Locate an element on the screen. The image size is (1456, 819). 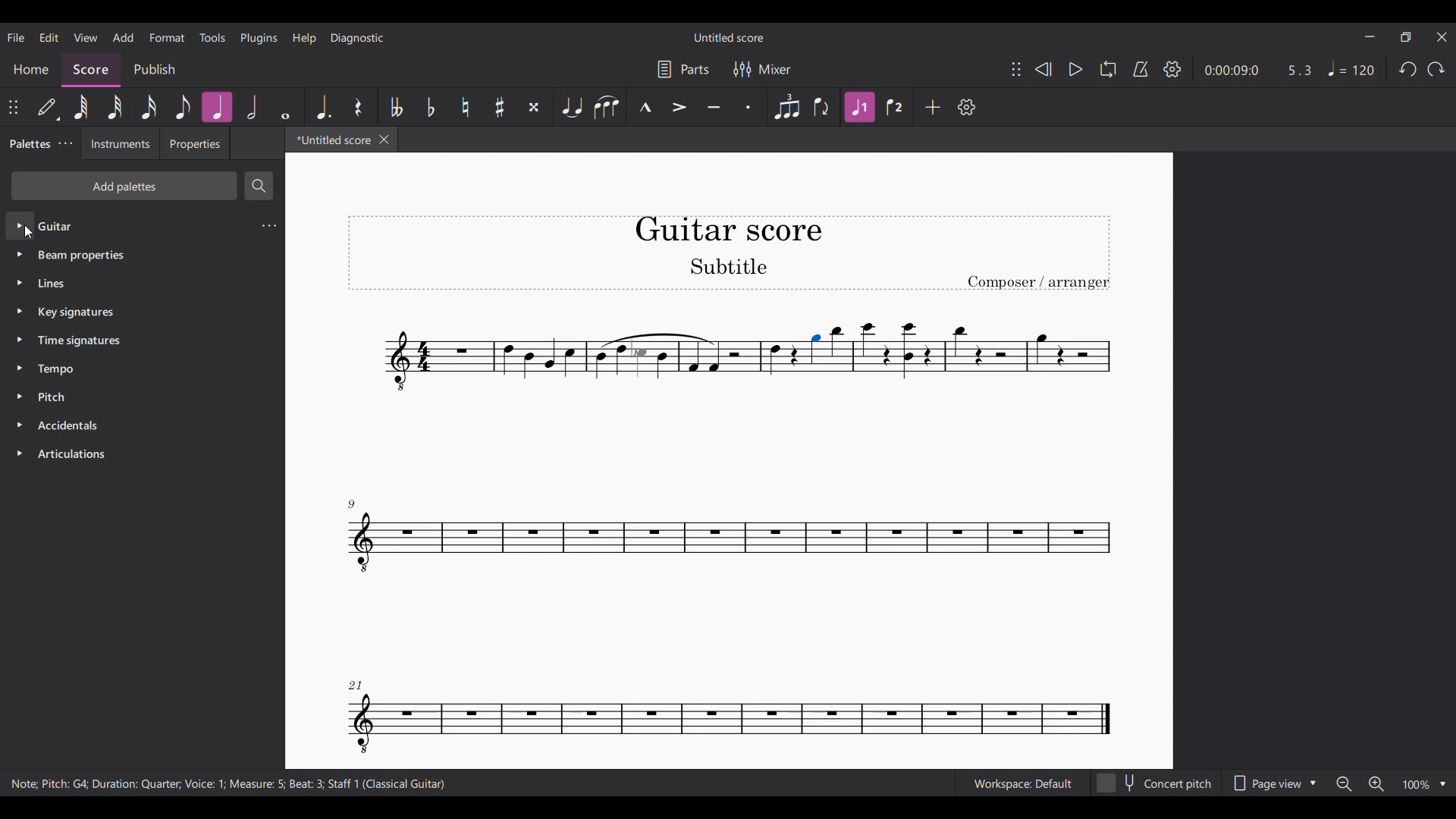
Augmentation dot is located at coordinates (322, 107).